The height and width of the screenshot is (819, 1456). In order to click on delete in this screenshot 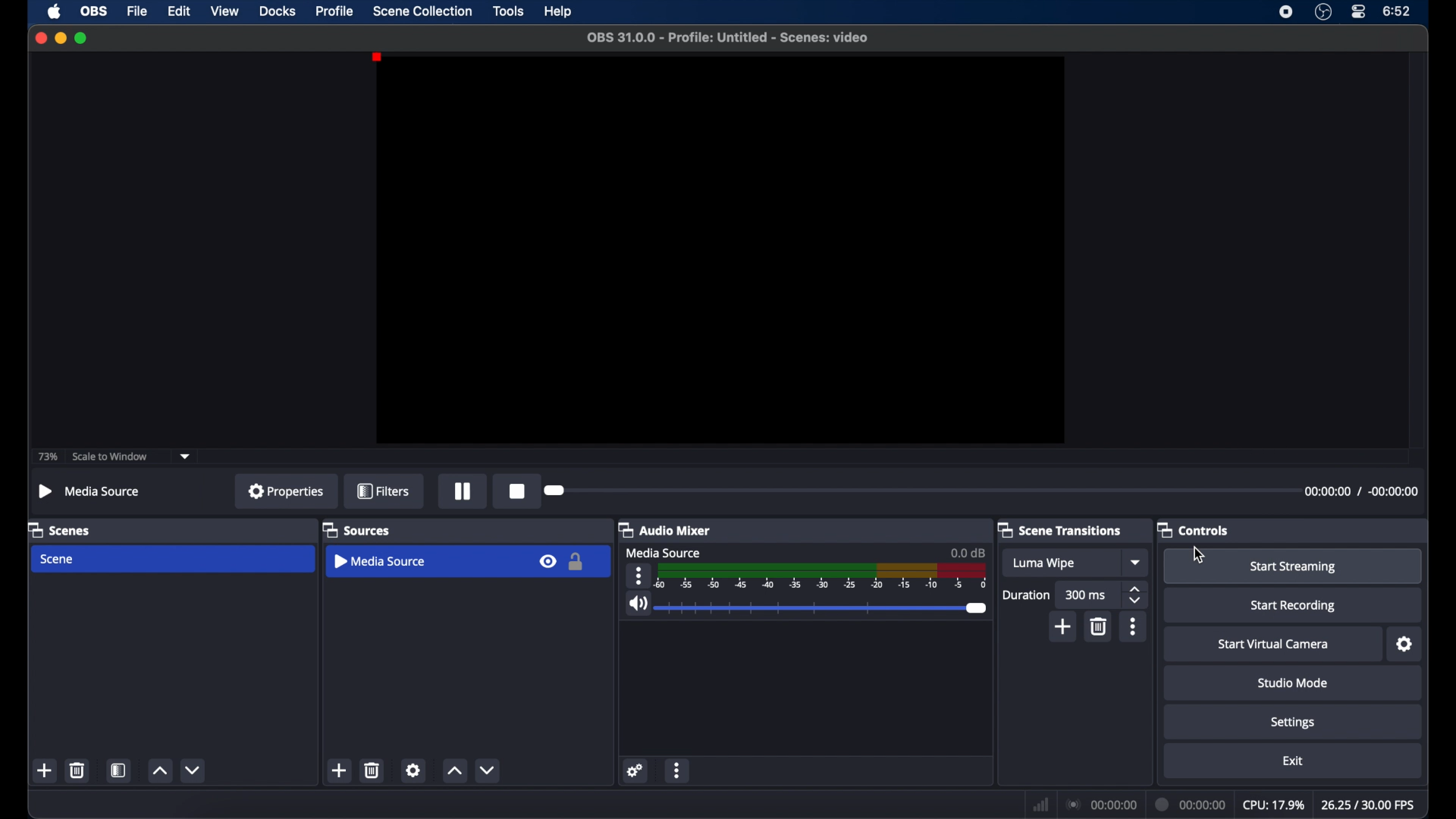, I will do `click(373, 770)`.